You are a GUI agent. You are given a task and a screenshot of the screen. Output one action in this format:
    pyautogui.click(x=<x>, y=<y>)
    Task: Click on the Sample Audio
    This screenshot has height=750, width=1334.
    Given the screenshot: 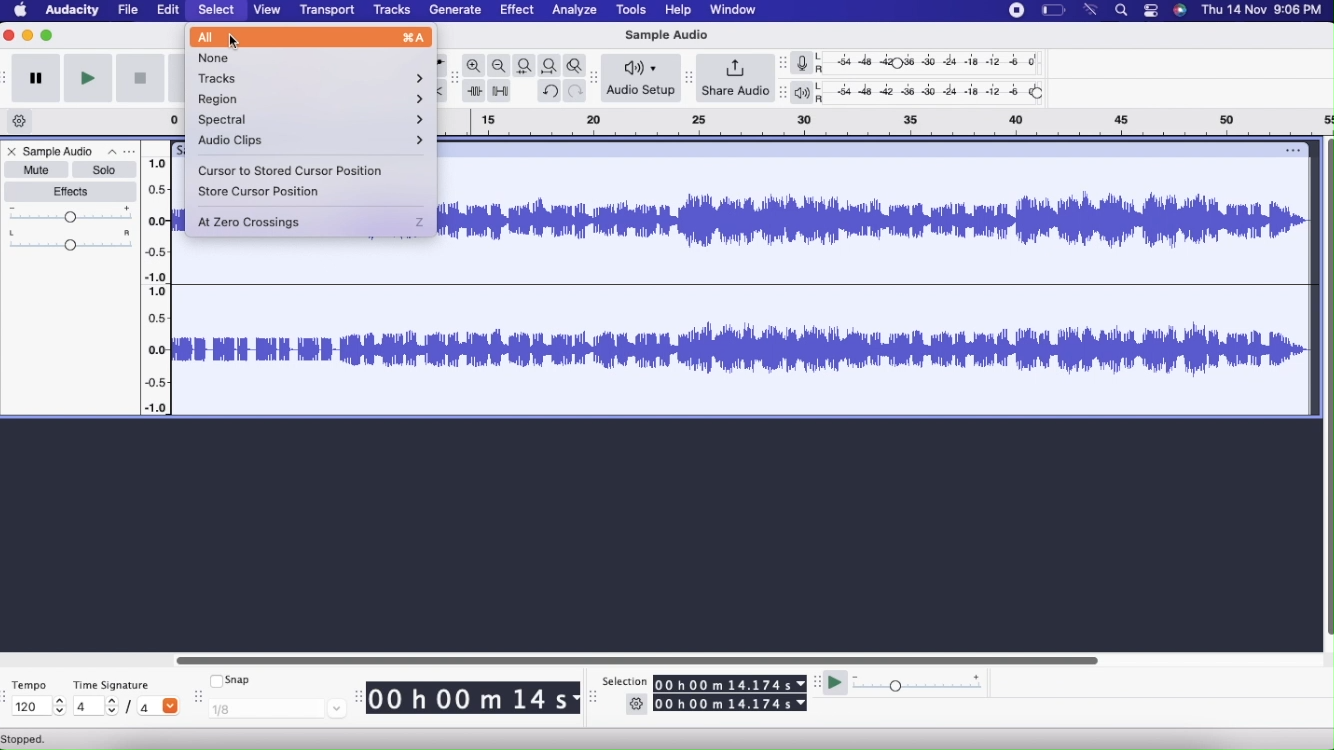 What is the action you would take?
    pyautogui.click(x=870, y=286)
    